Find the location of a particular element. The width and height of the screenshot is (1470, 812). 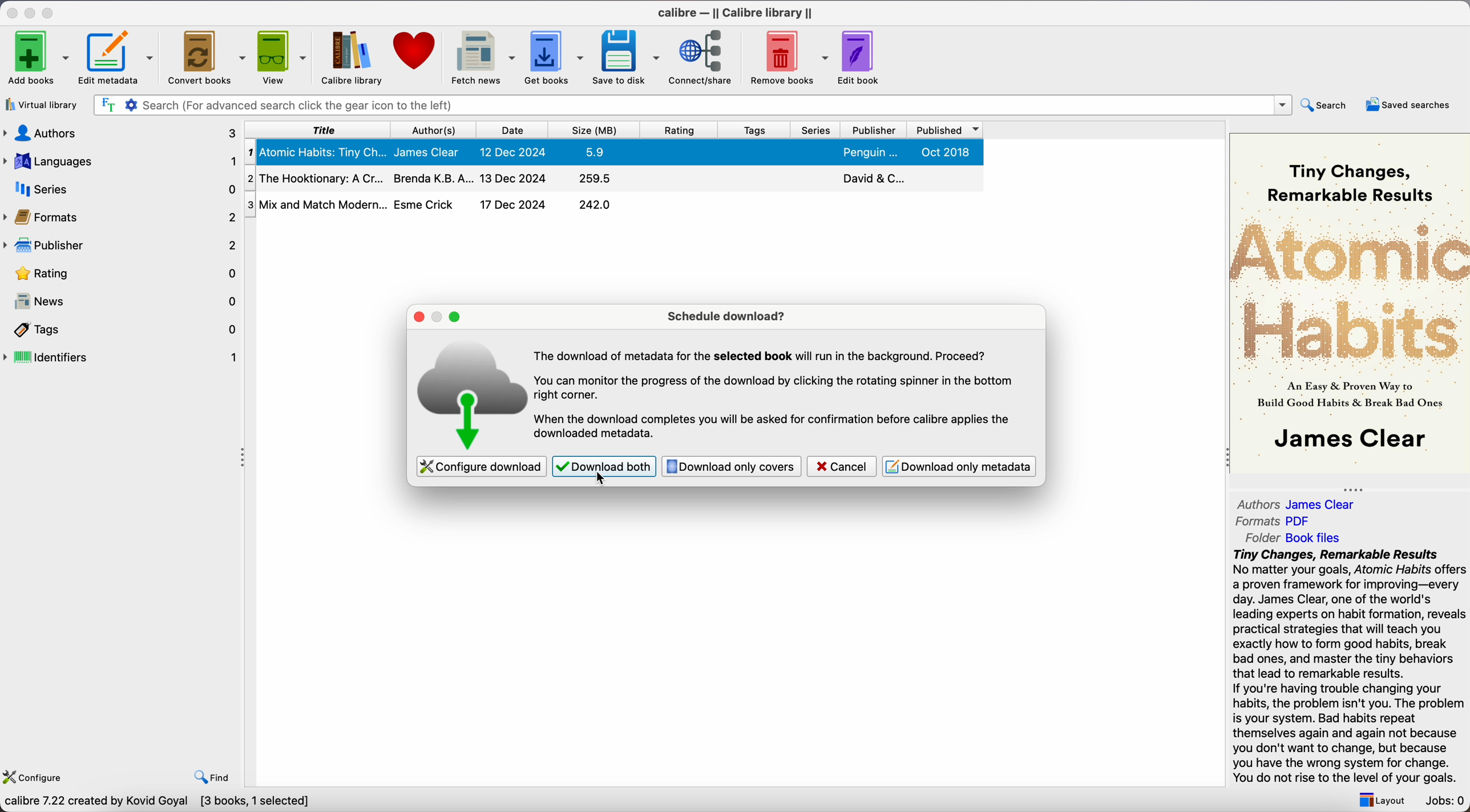

Penguin... is located at coordinates (870, 152).